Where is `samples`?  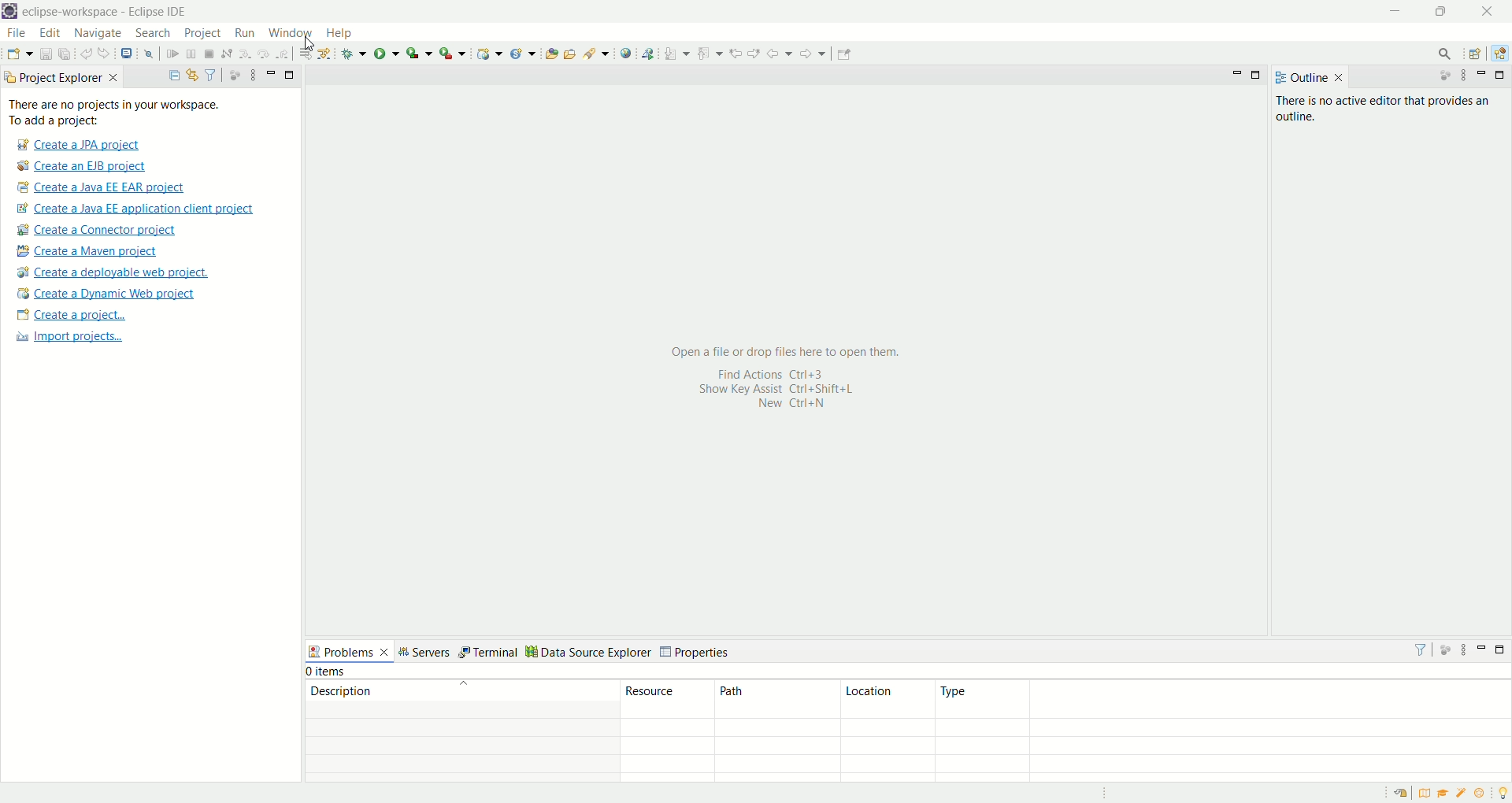
samples is located at coordinates (1461, 794).